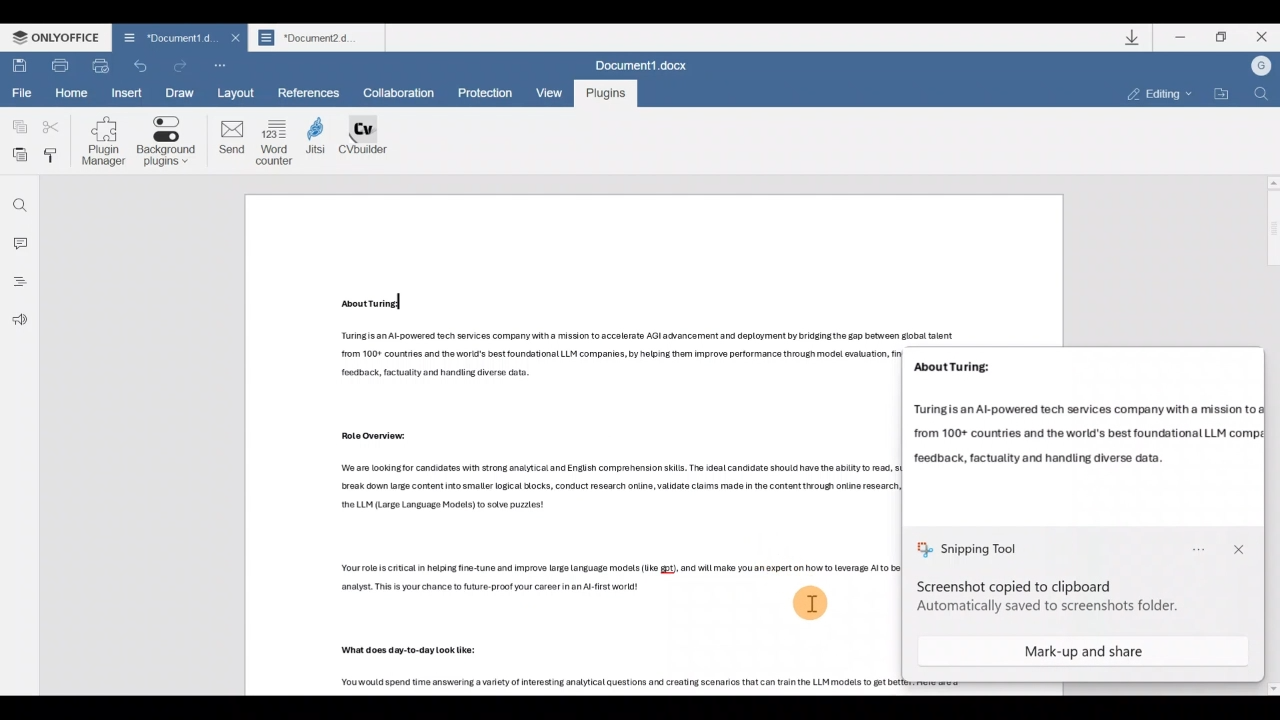  I want to click on Find, so click(18, 201).